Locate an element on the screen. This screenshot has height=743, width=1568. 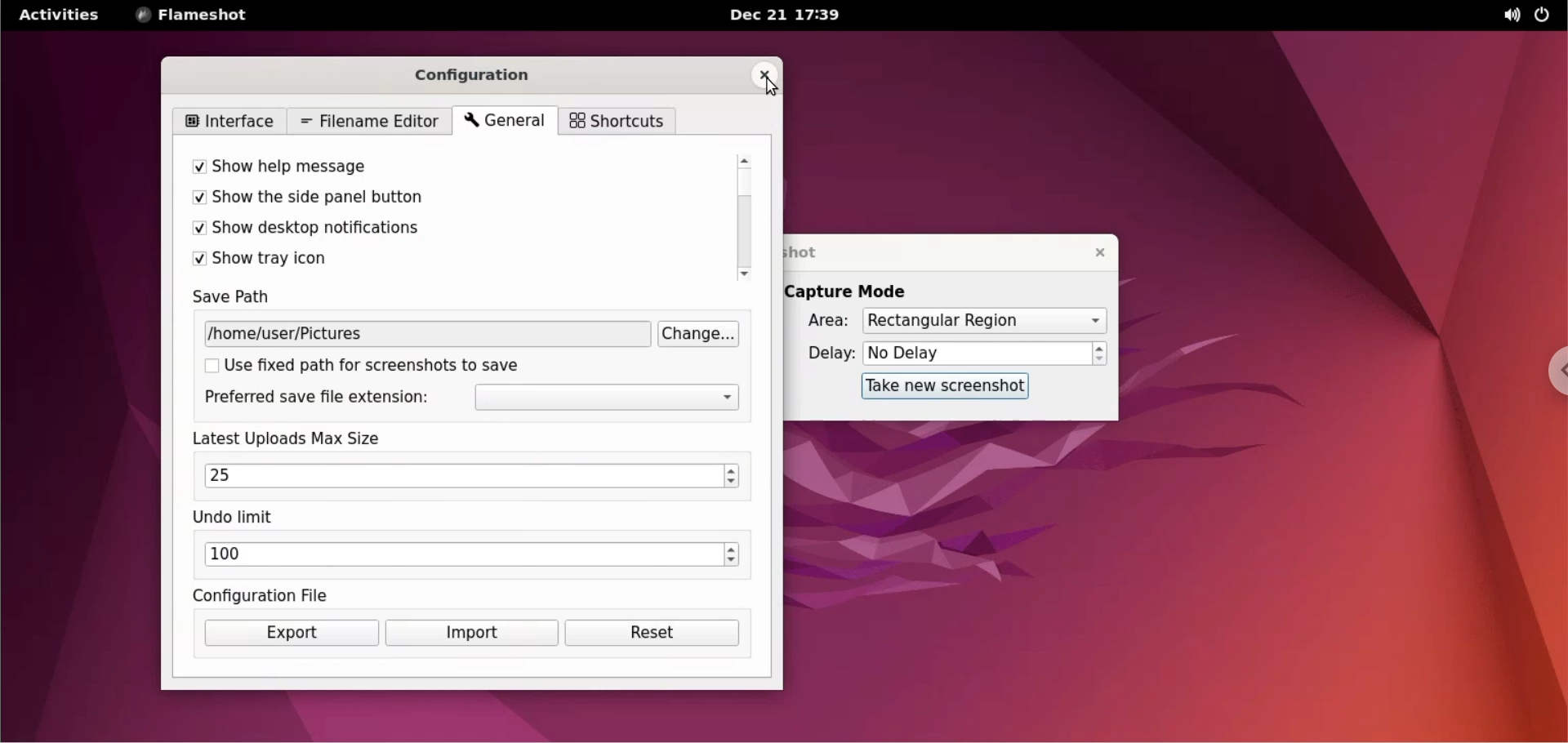
close is located at coordinates (1091, 251).